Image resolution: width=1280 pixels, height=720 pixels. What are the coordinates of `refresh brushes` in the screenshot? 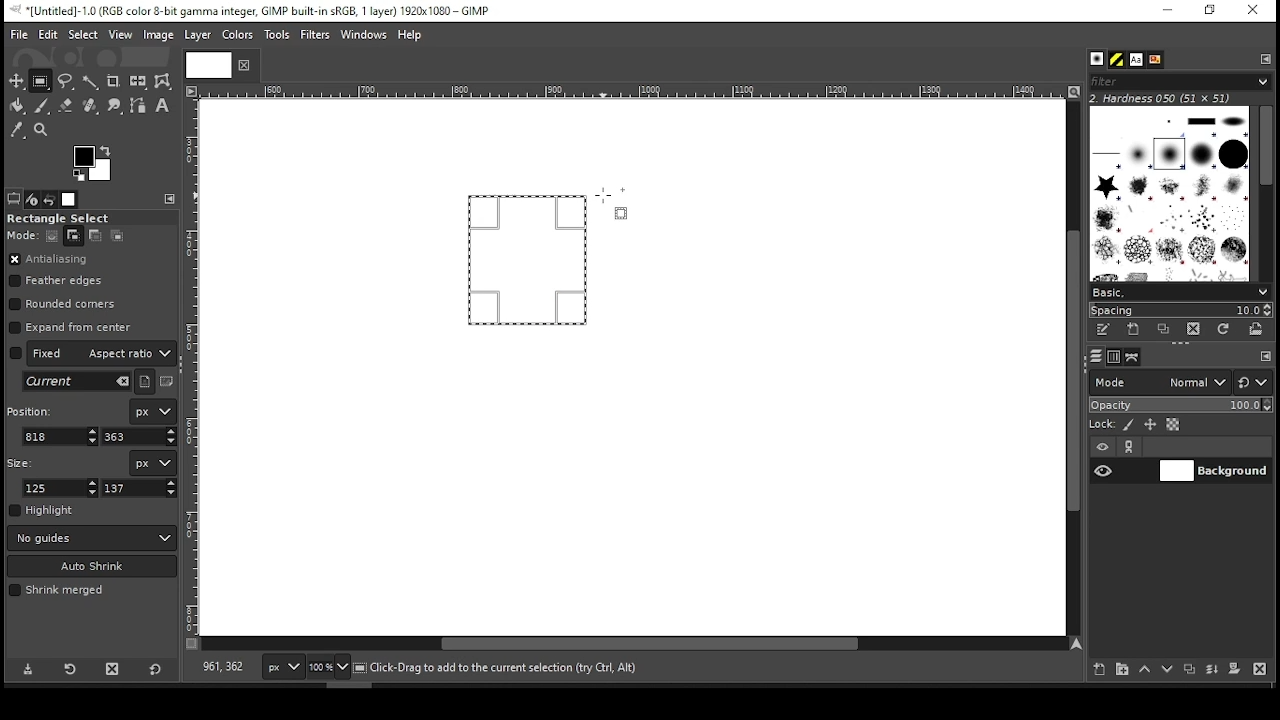 It's located at (1222, 331).